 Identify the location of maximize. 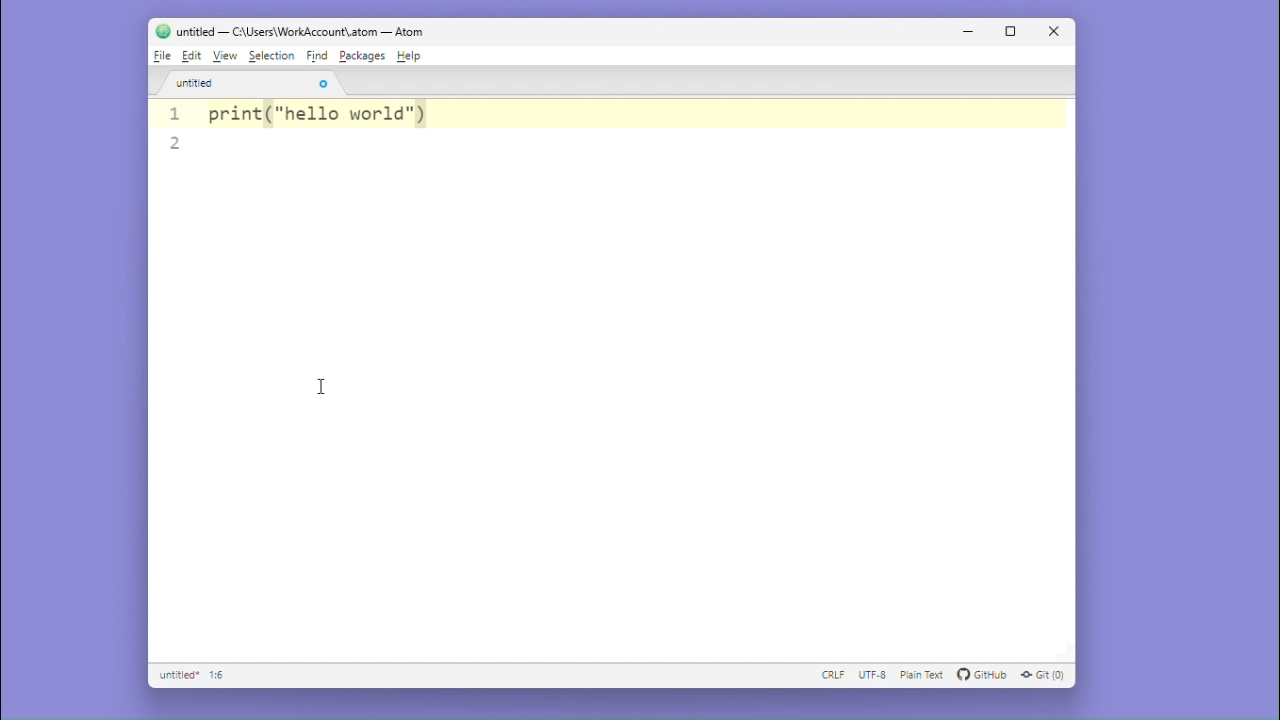
(1014, 30).